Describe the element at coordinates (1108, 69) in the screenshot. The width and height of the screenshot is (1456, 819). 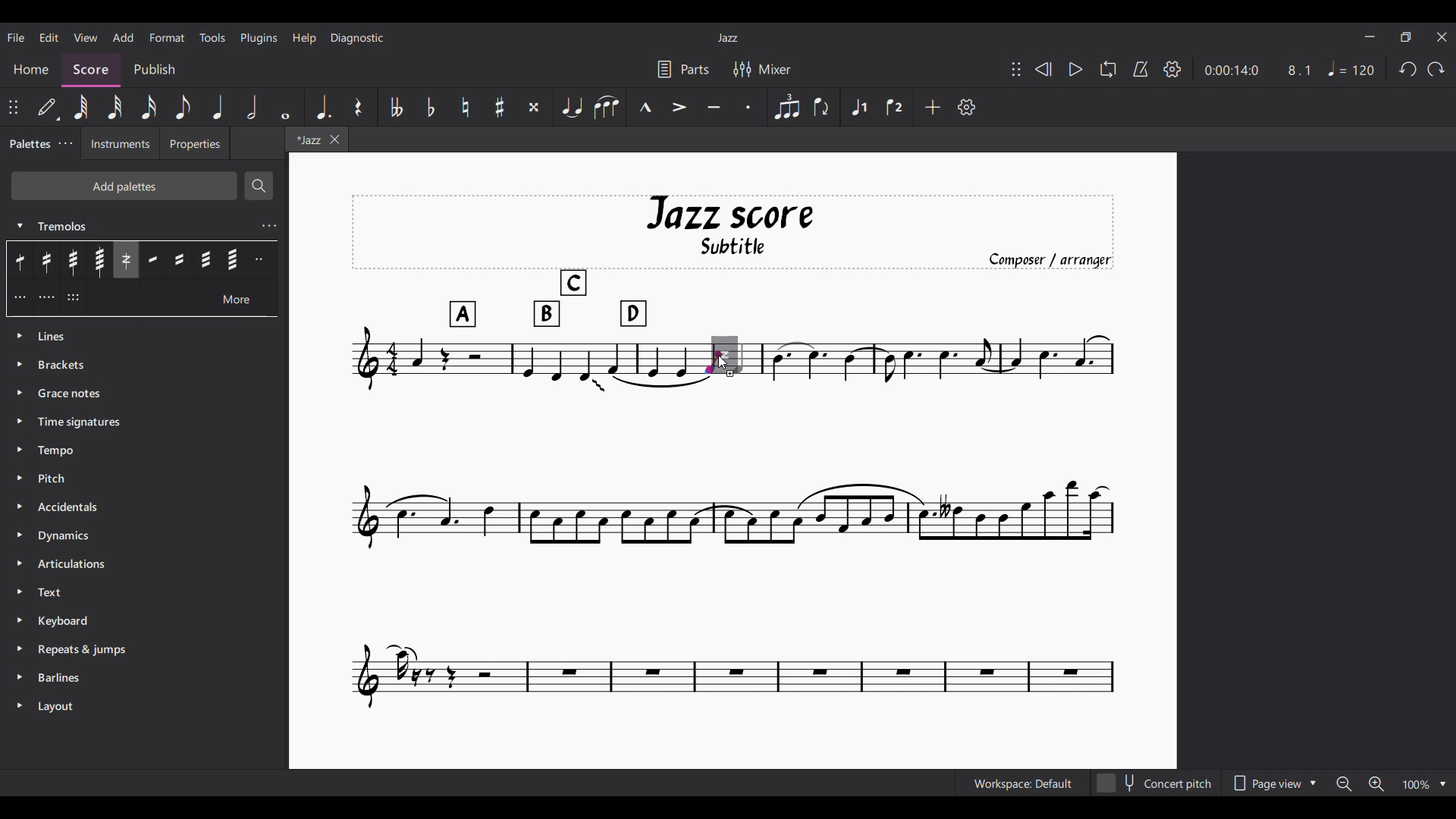
I see `Loop playback` at that location.